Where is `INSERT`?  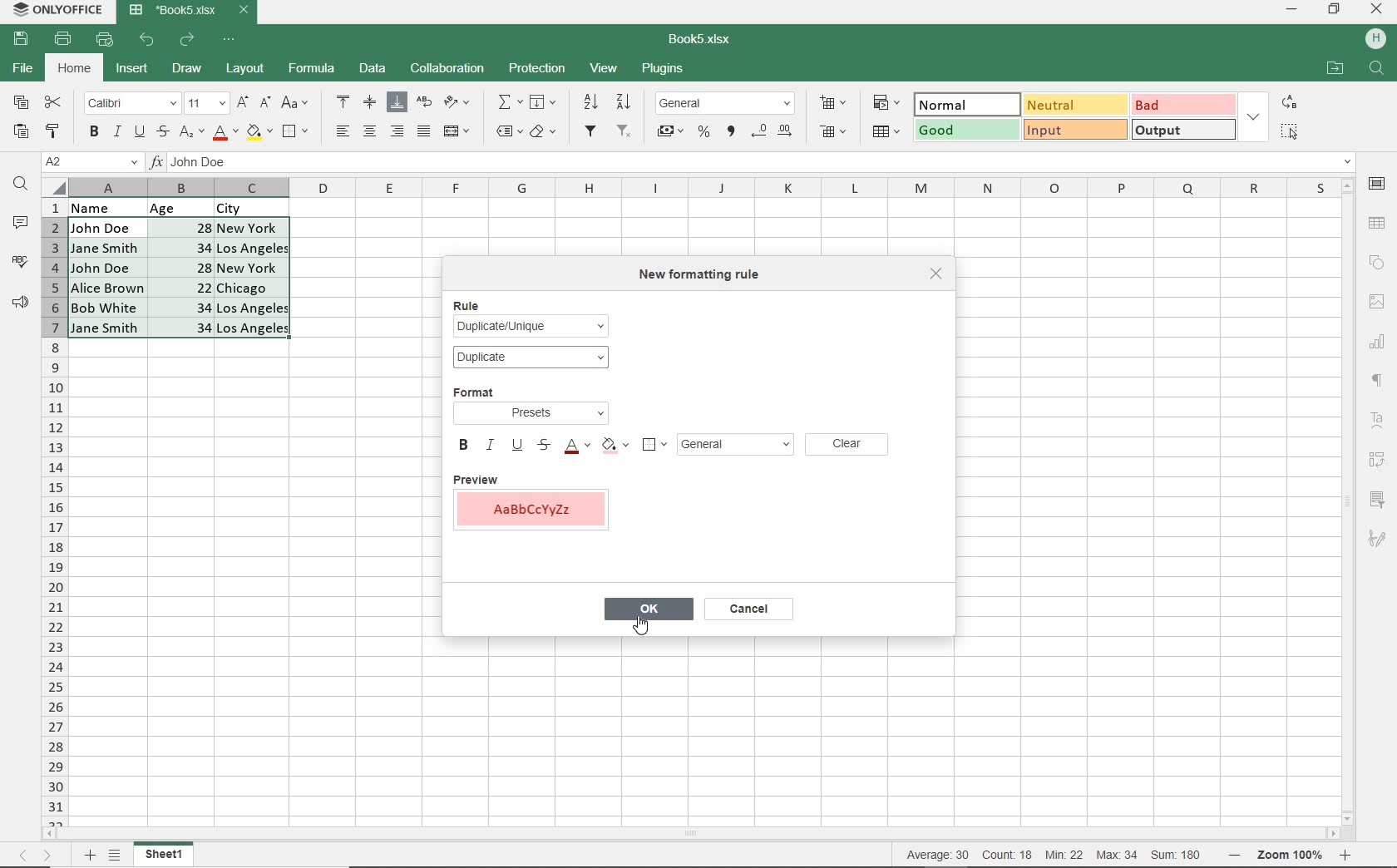
INSERT is located at coordinates (132, 71).